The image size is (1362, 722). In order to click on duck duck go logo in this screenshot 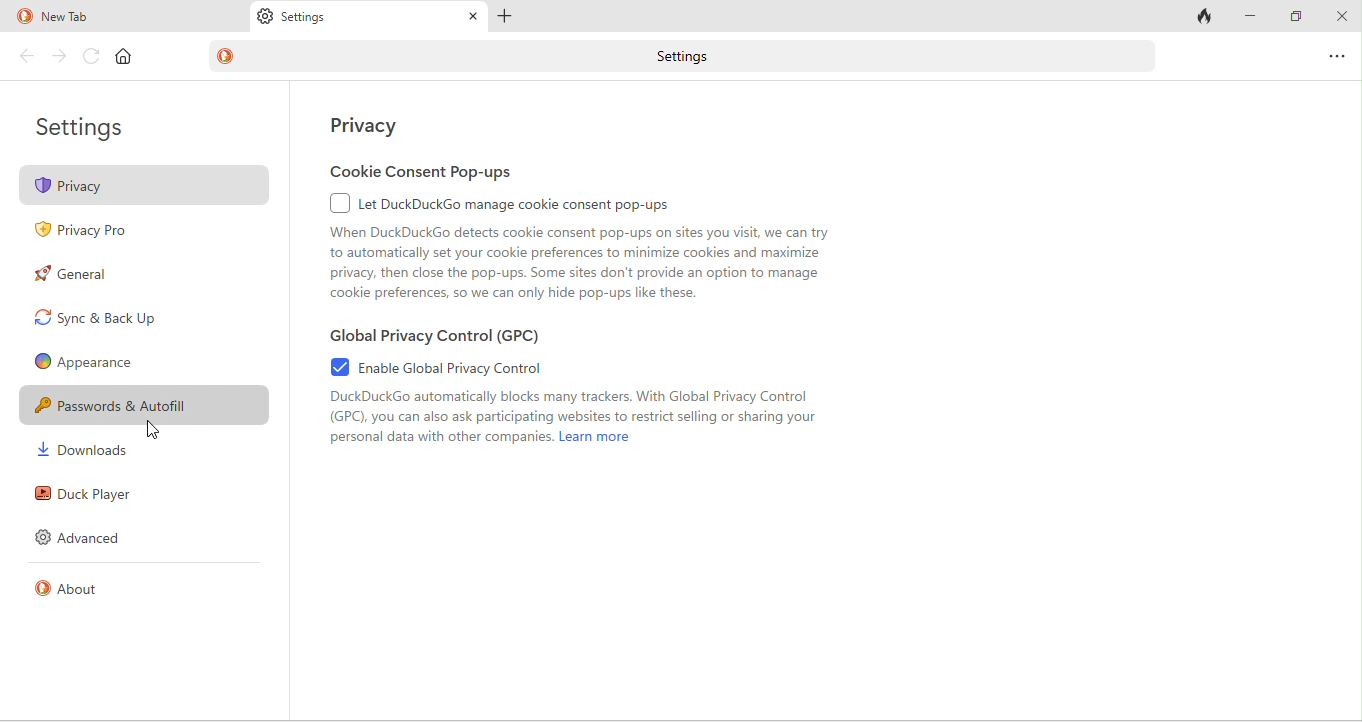, I will do `click(229, 57)`.